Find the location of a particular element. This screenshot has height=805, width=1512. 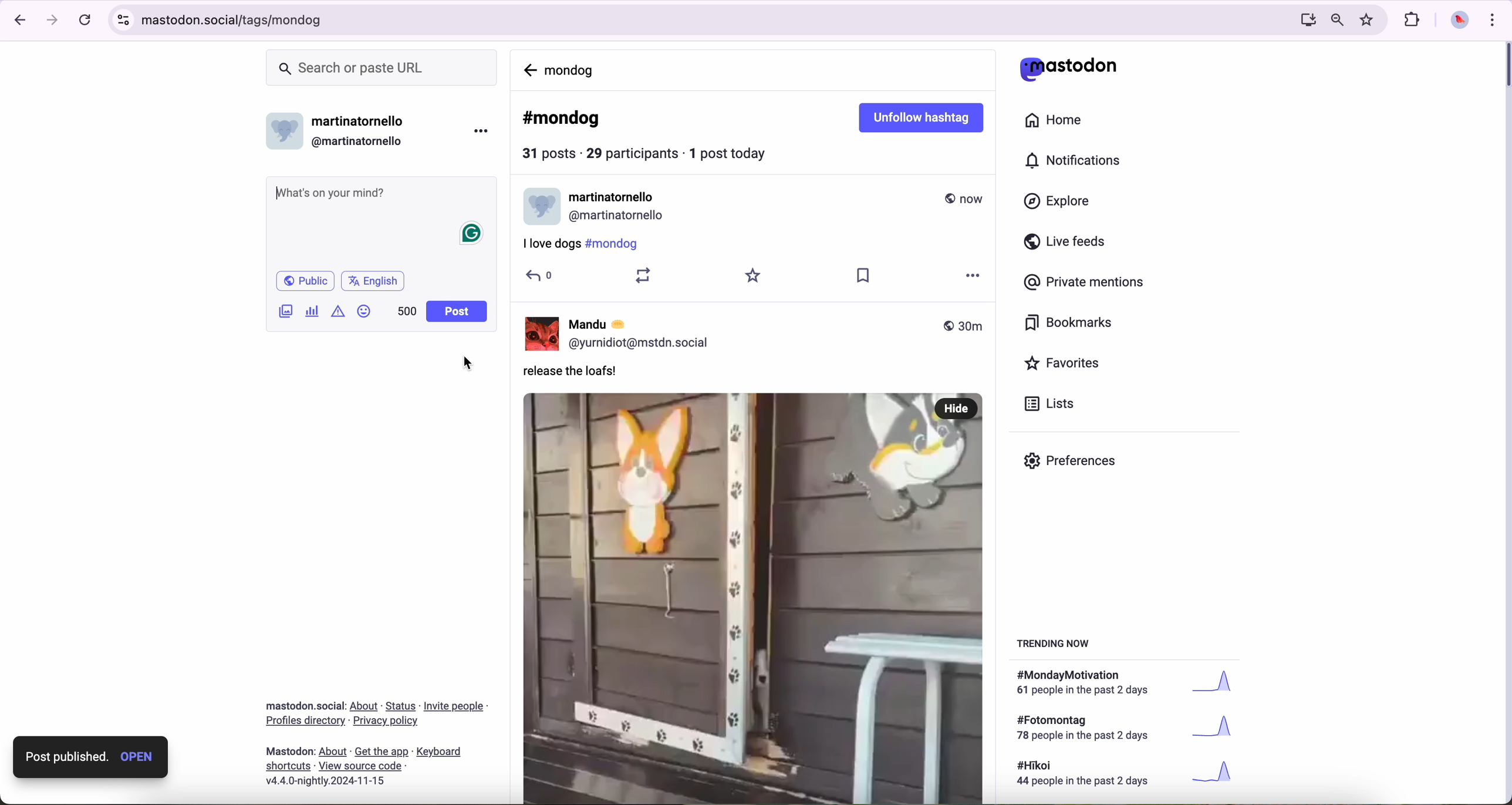

more options is located at coordinates (978, 777).